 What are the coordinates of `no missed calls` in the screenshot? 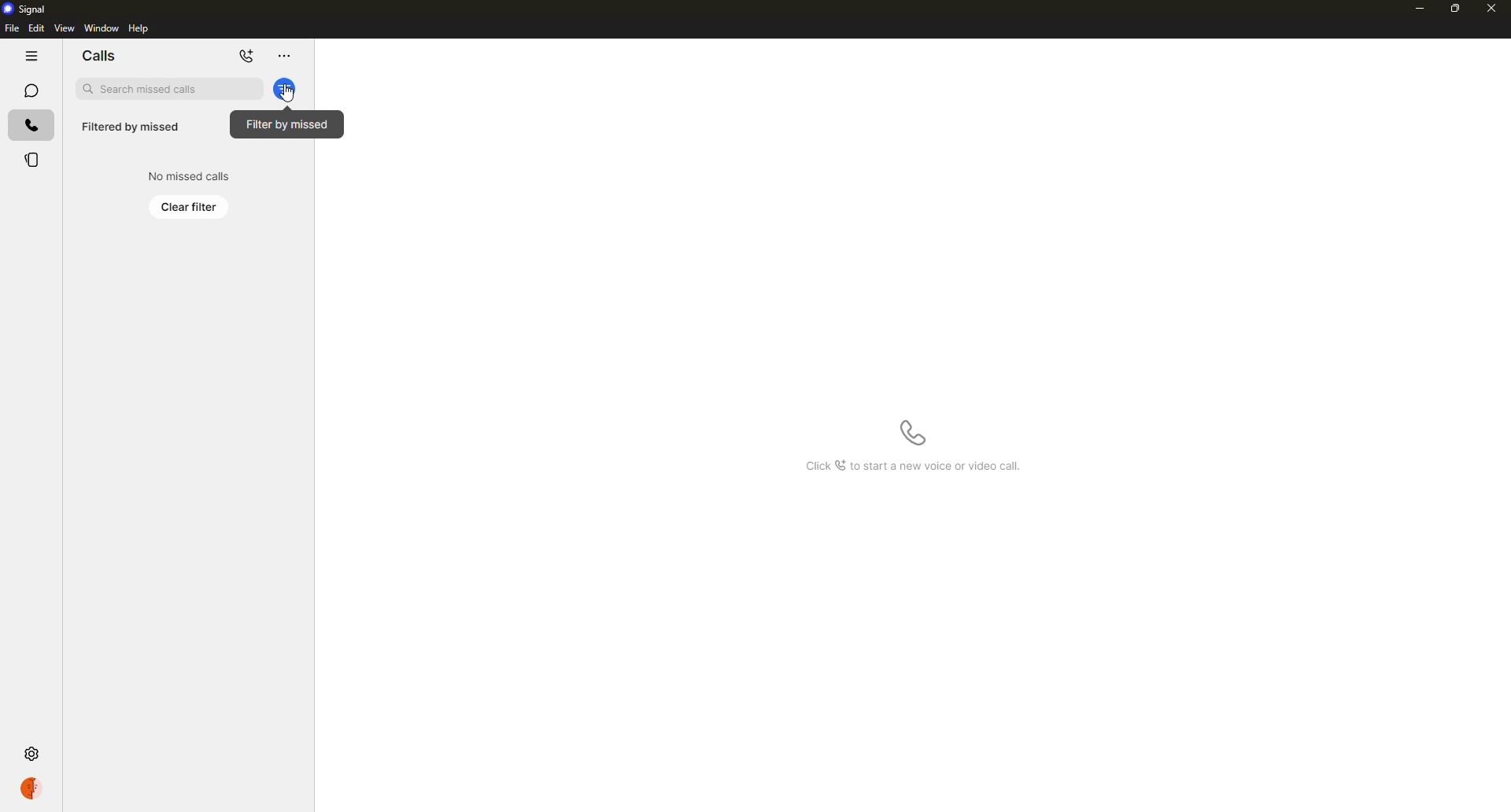 It's located at (187, 175).